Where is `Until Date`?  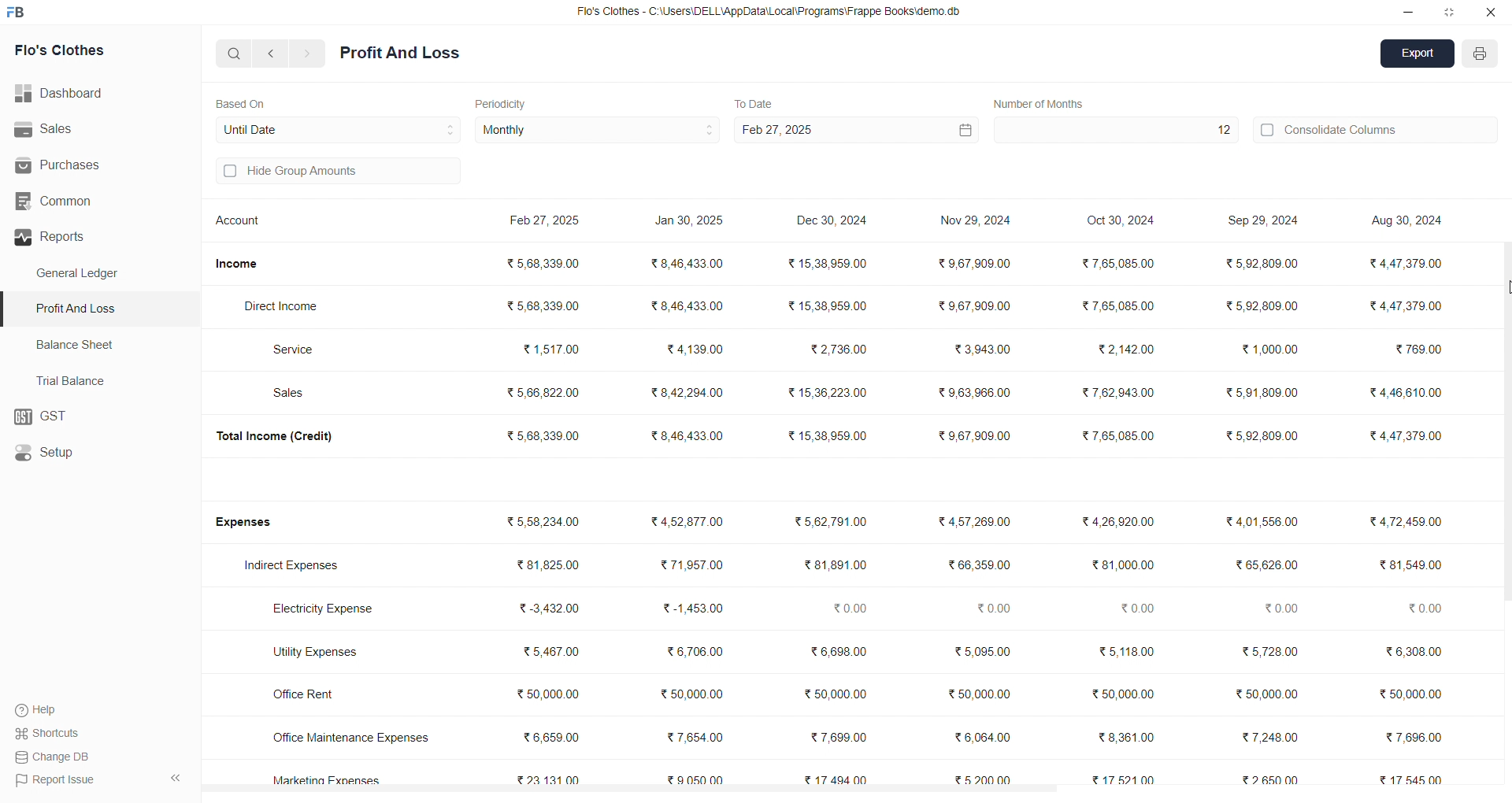 Until Date is located at coordinates (339, 128).